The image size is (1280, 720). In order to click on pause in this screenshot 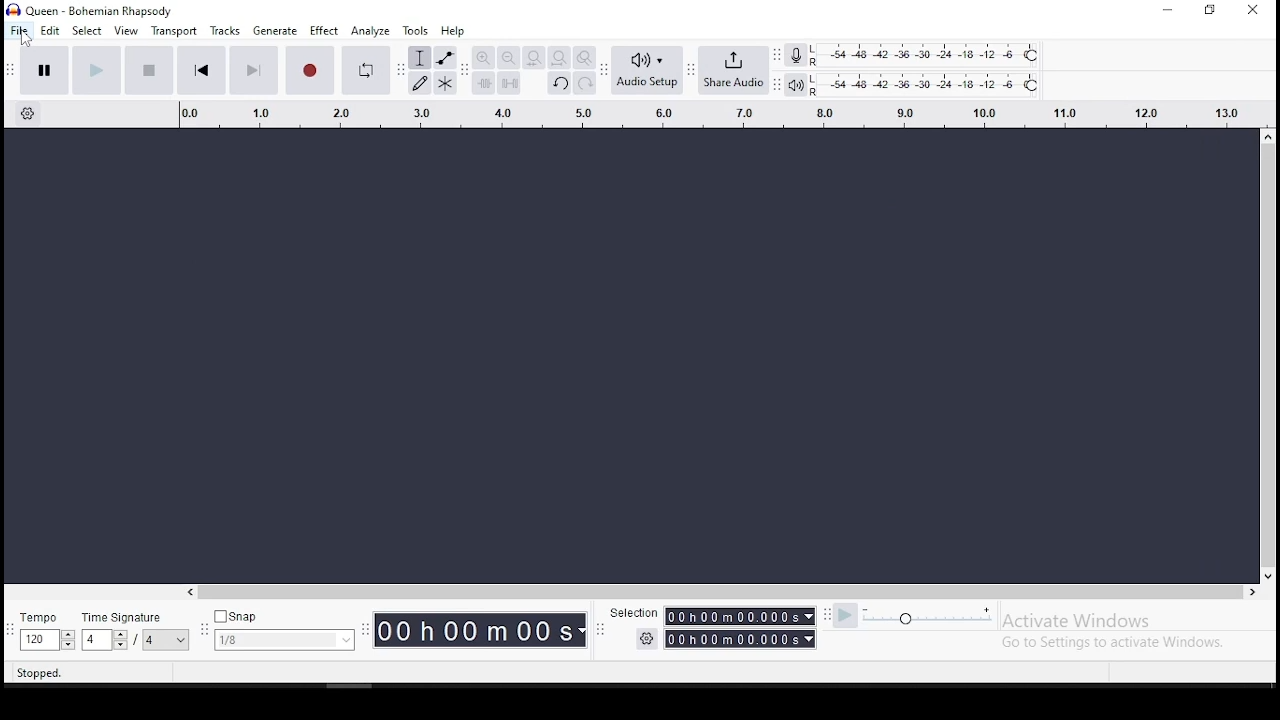, I will do `click(40, 69)`.